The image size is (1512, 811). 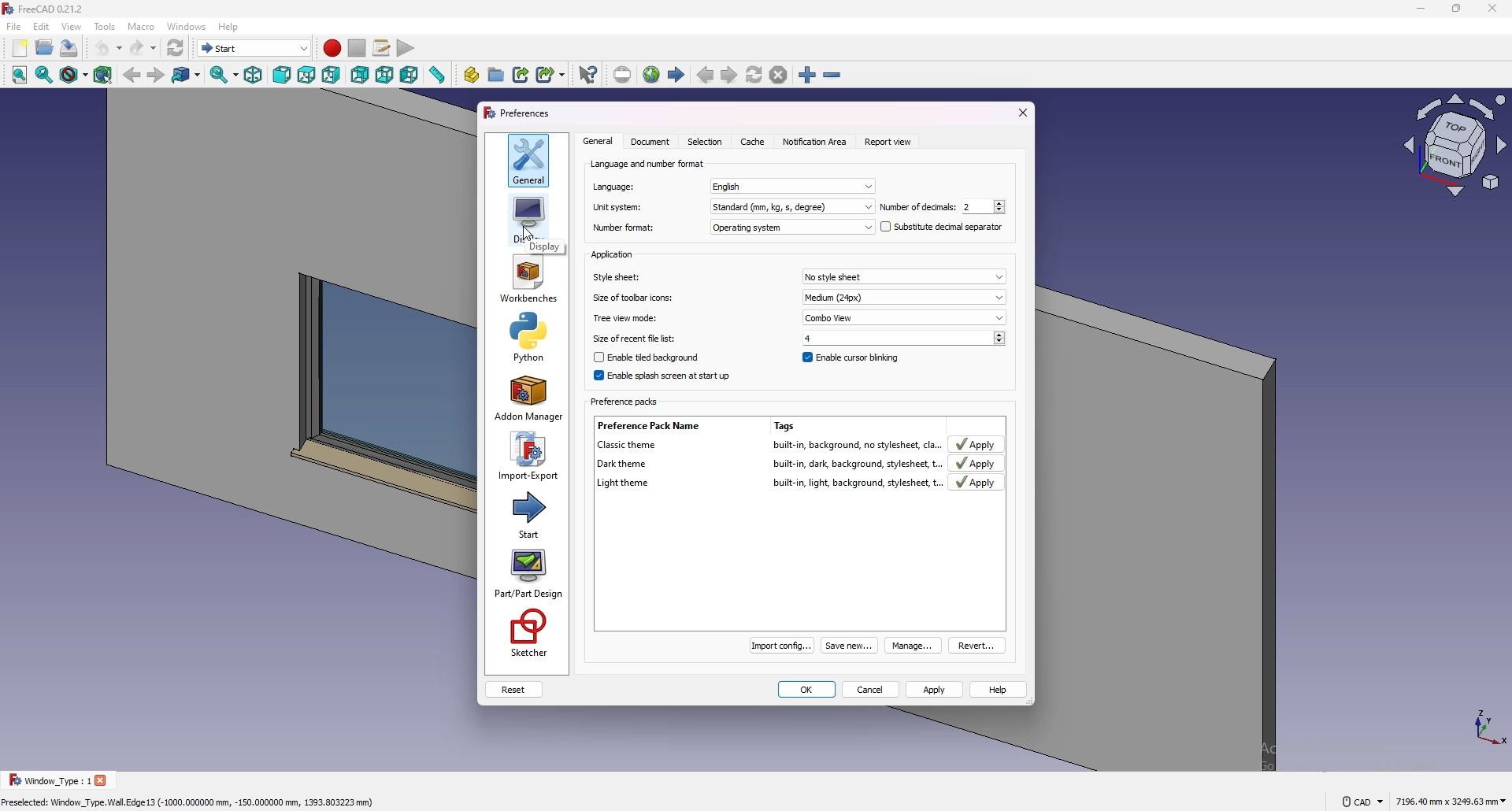 What do you see at coordinates (55, 9) in the screenshot?
I see `FreeCAD 0.21.2` at bounding box center [55, 9].